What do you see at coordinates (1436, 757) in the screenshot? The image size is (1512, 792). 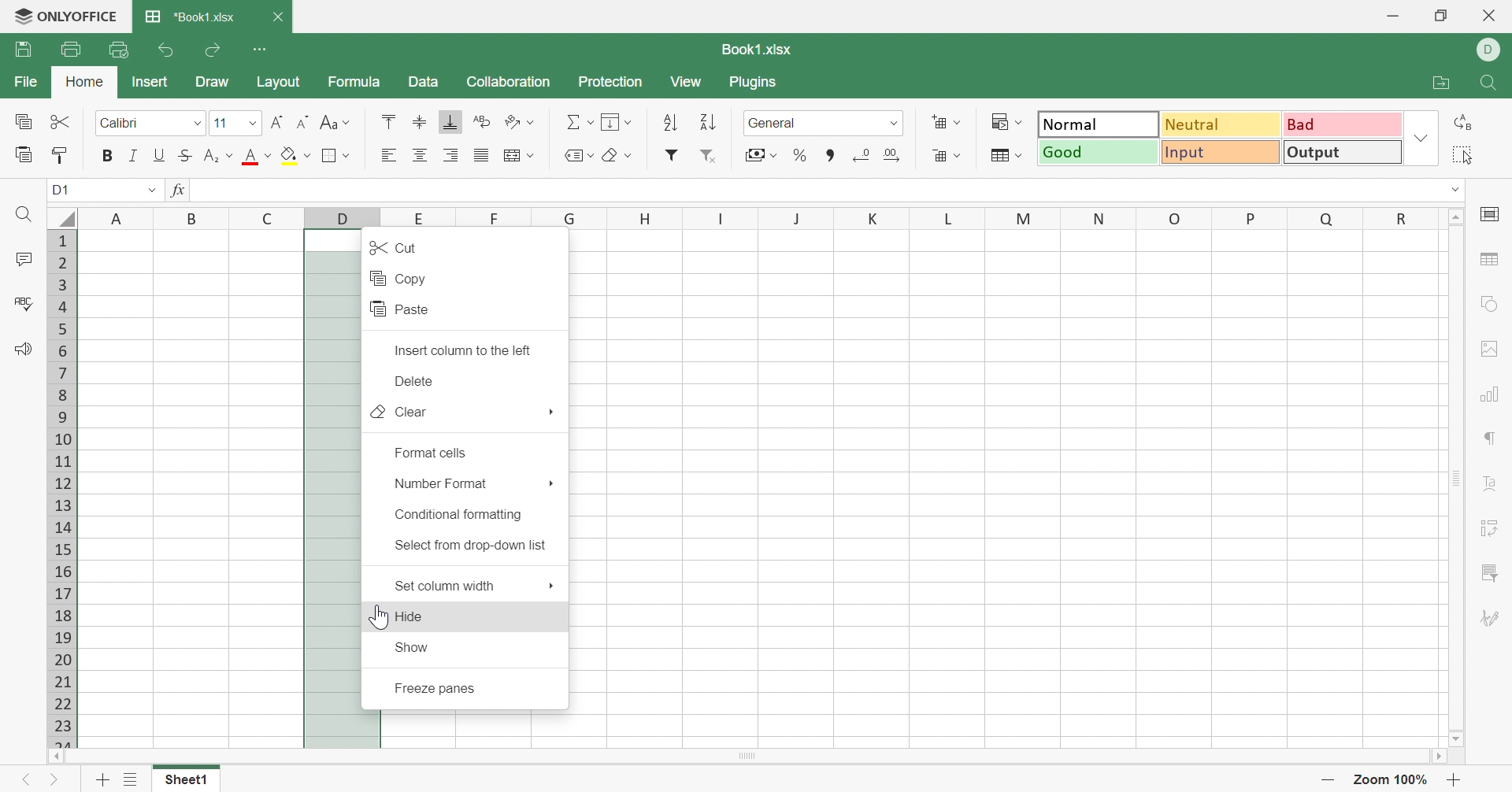 I see `Scroll Right` at bounding box center [1436, 757].